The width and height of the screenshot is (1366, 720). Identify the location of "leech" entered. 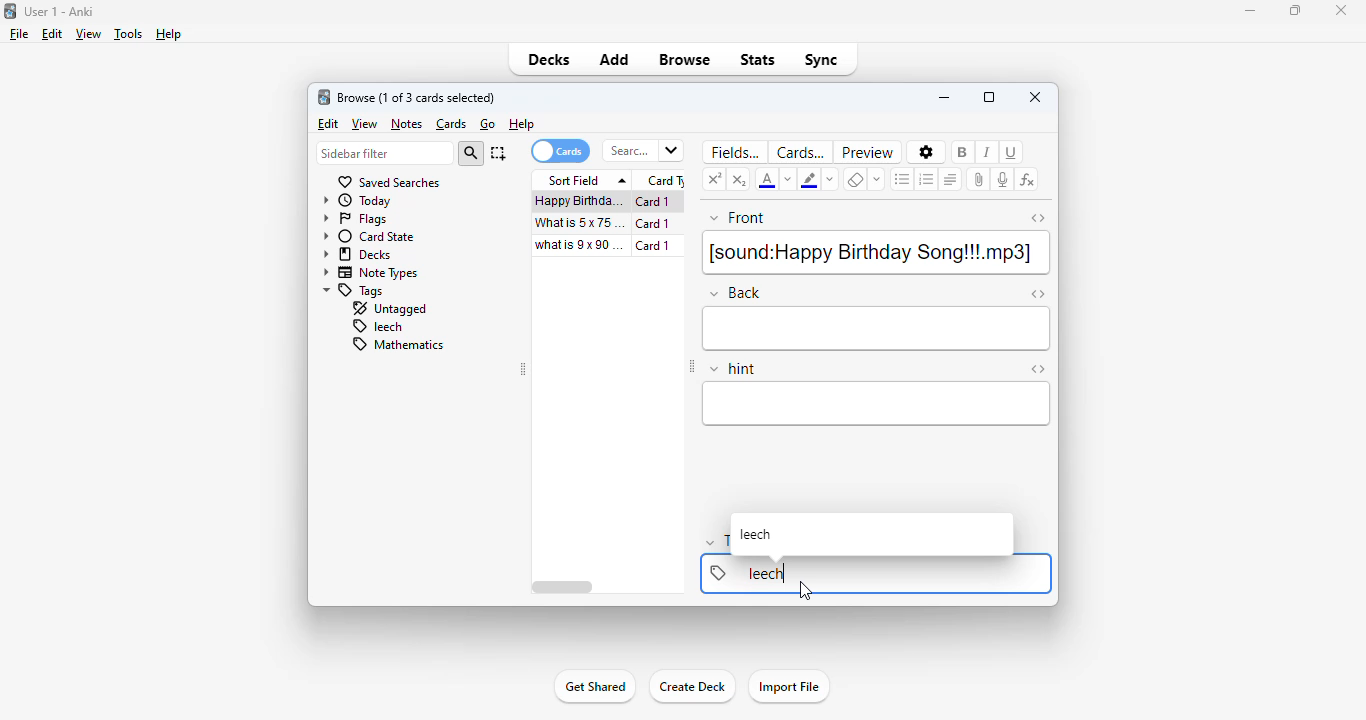
(765, 573).